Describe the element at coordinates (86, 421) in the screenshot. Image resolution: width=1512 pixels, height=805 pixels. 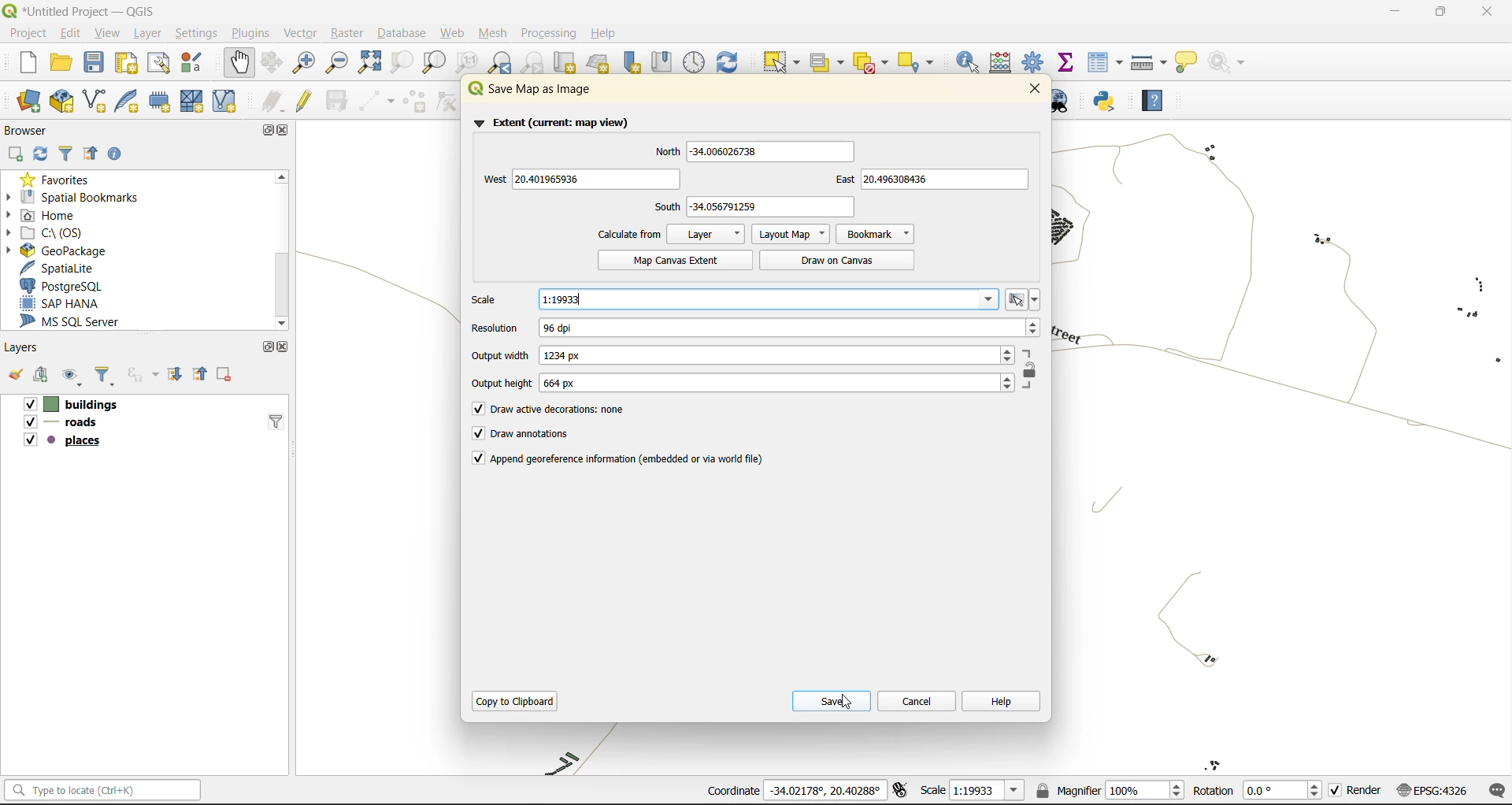
I see `layers` at that location.